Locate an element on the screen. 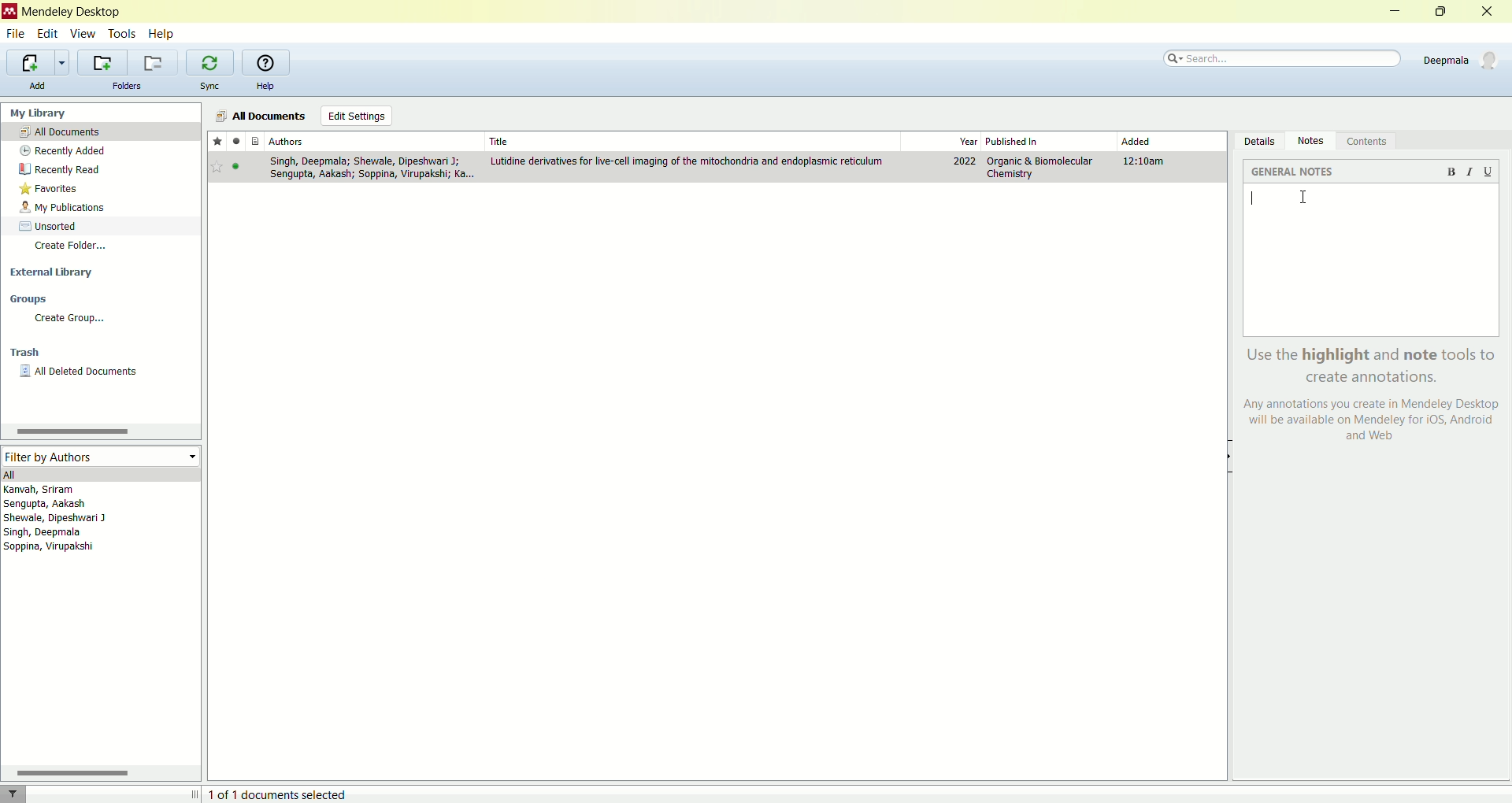  tools is located at coordinates (122, 33).